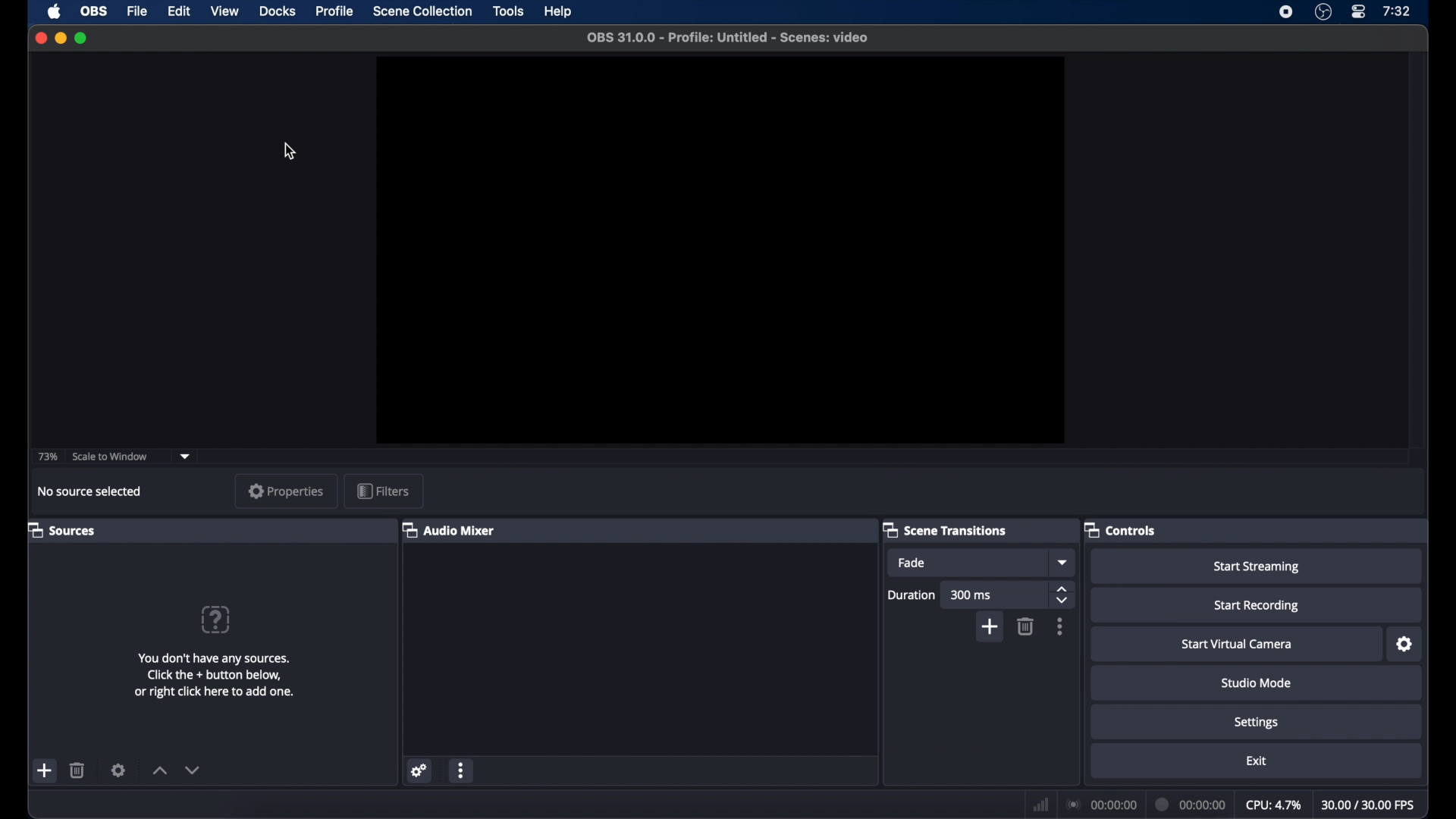  Describe the element at coordinates (1065, 563) in the screenshot. I see `dropdown` at that location.